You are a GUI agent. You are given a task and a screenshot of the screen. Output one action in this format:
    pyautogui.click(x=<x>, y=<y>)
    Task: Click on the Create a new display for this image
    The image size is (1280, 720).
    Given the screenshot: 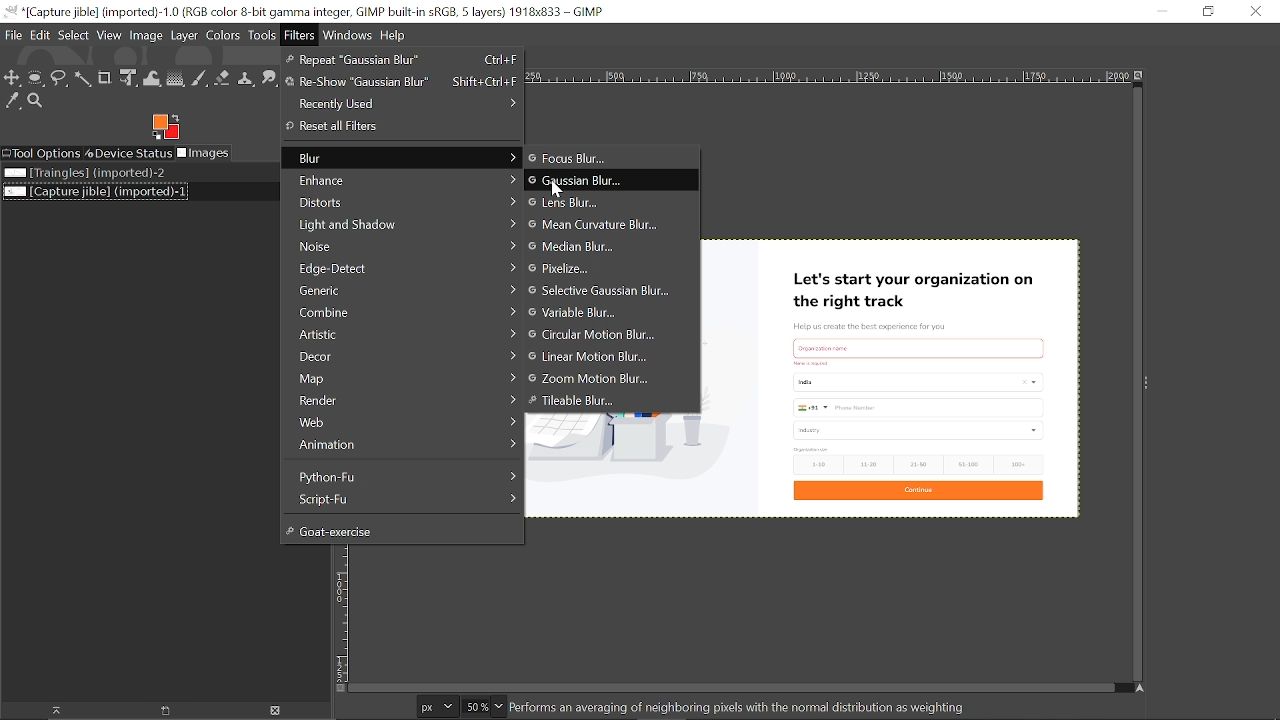 What is the action you would take?
    pyautogui.click(x=169, y=711)
    